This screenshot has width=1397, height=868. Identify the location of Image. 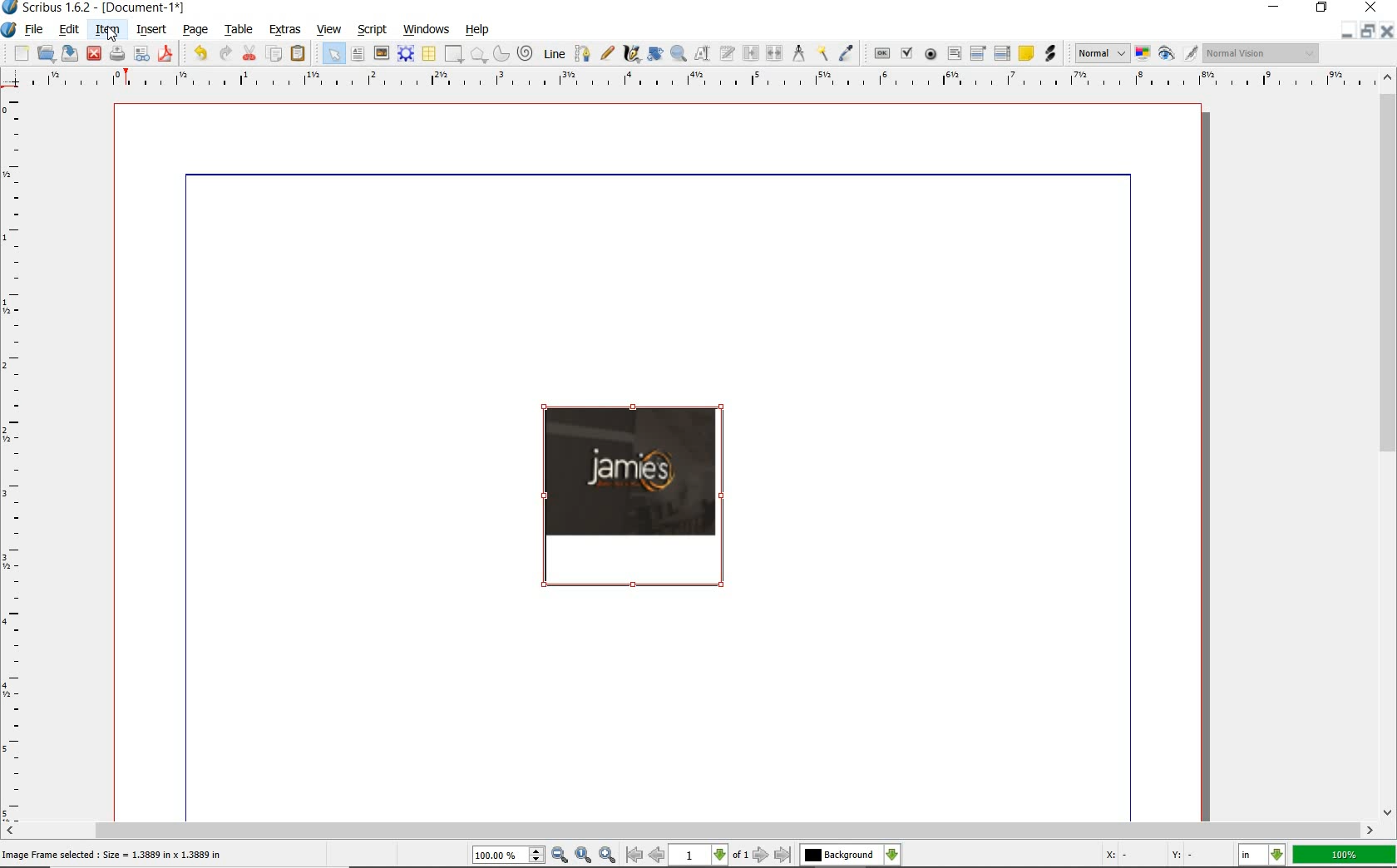
(635, 494).